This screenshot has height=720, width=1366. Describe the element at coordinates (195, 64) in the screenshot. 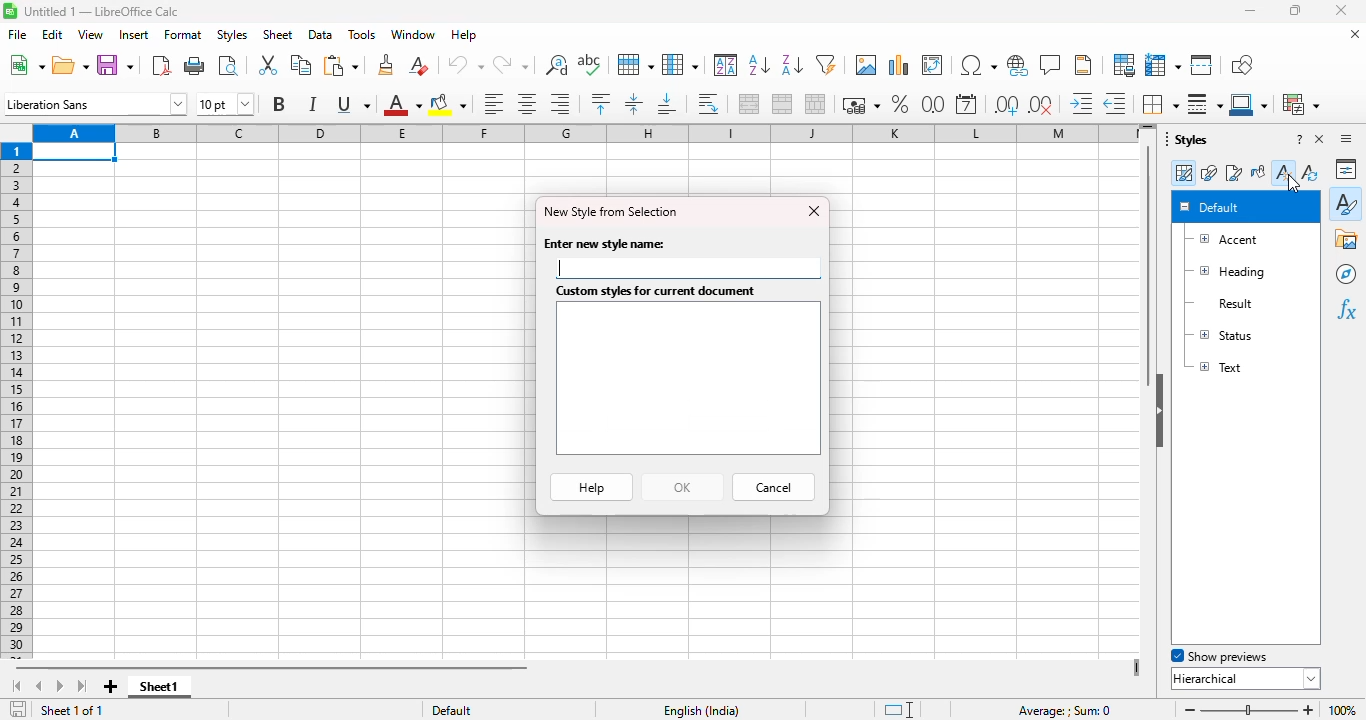

I see `print` at that location.